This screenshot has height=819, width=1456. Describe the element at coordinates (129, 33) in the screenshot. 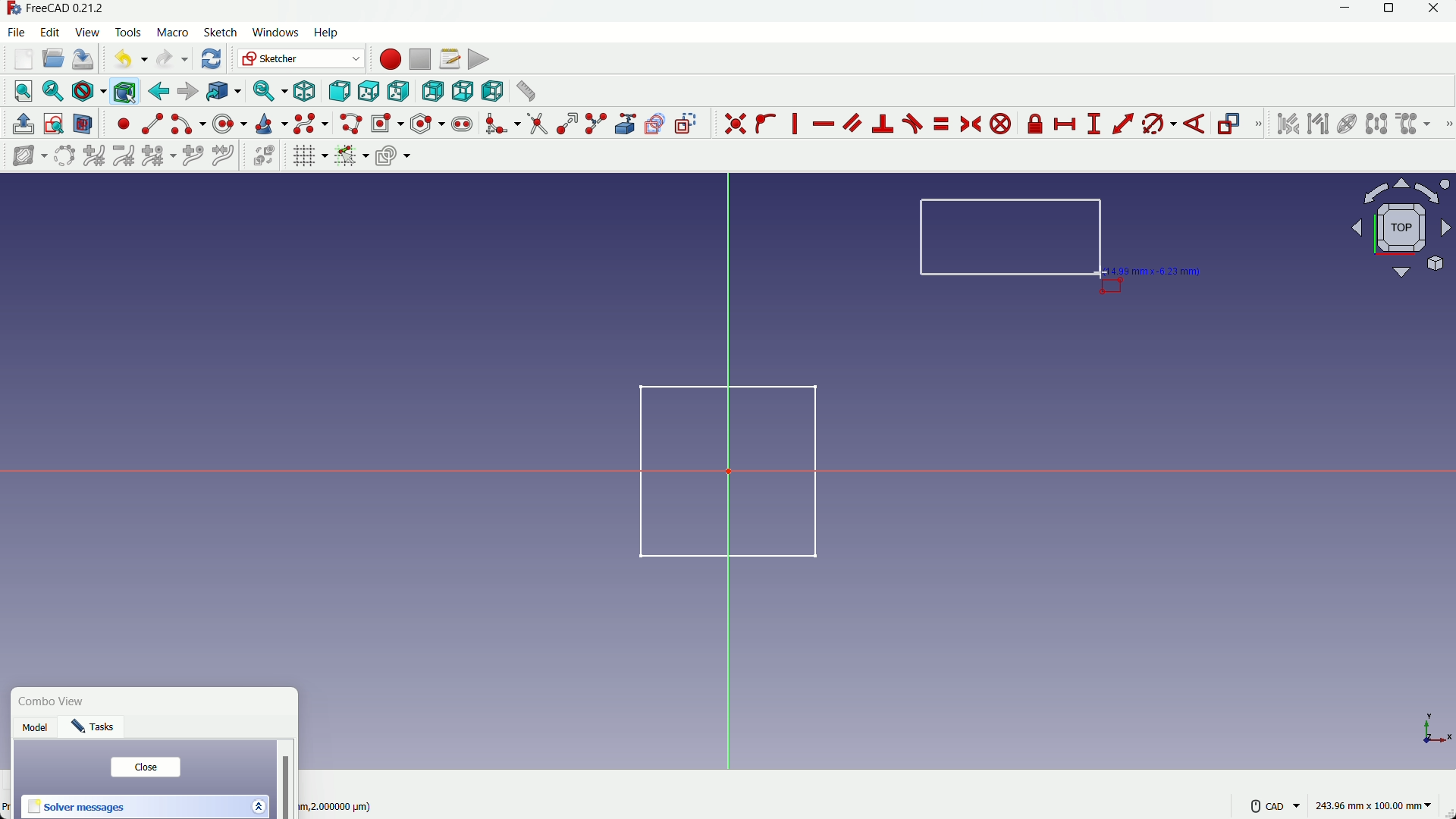

I see `tools menu` at that location.